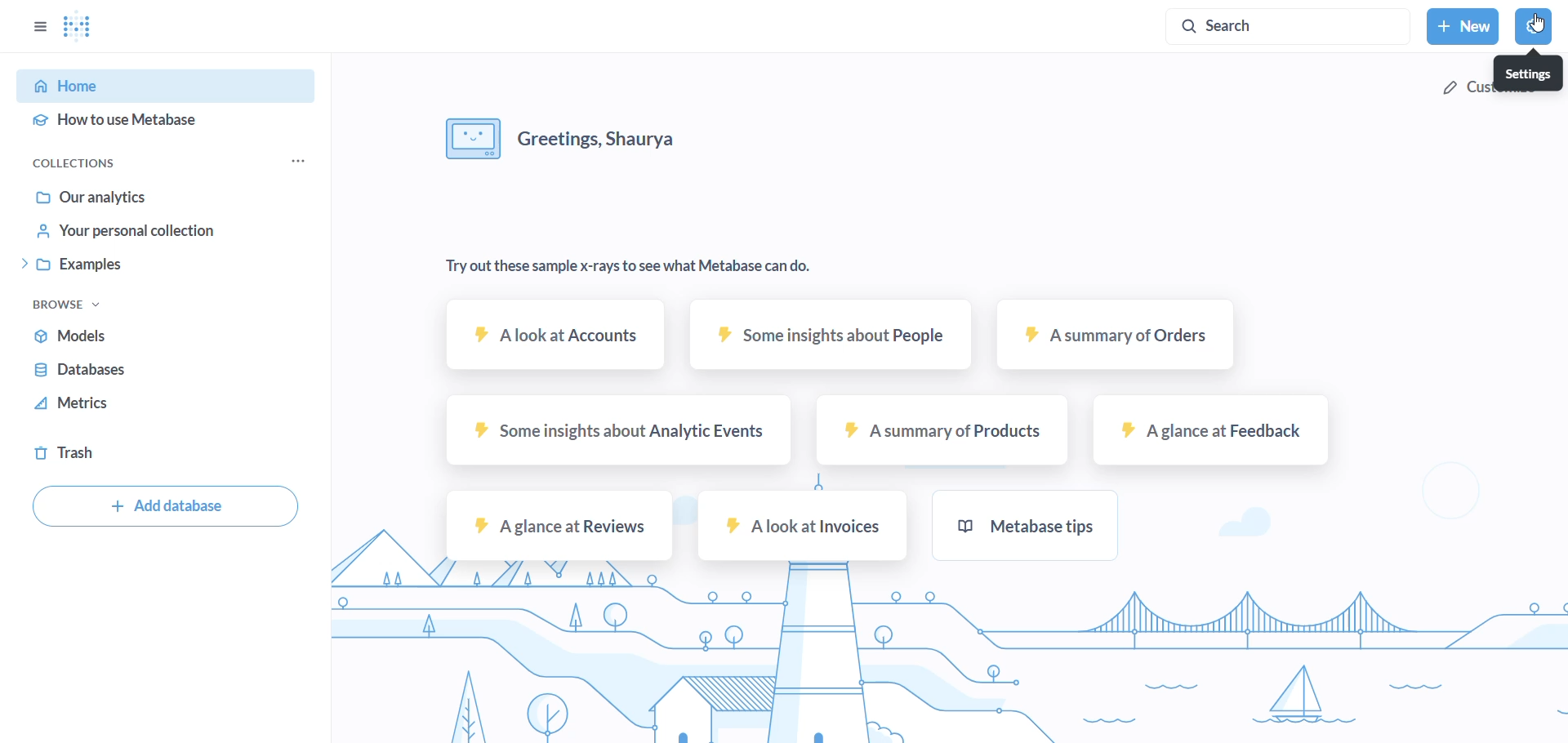 The height and width of the screenshot is (743, 1568). I want to click on HOME , so click(155, 87).